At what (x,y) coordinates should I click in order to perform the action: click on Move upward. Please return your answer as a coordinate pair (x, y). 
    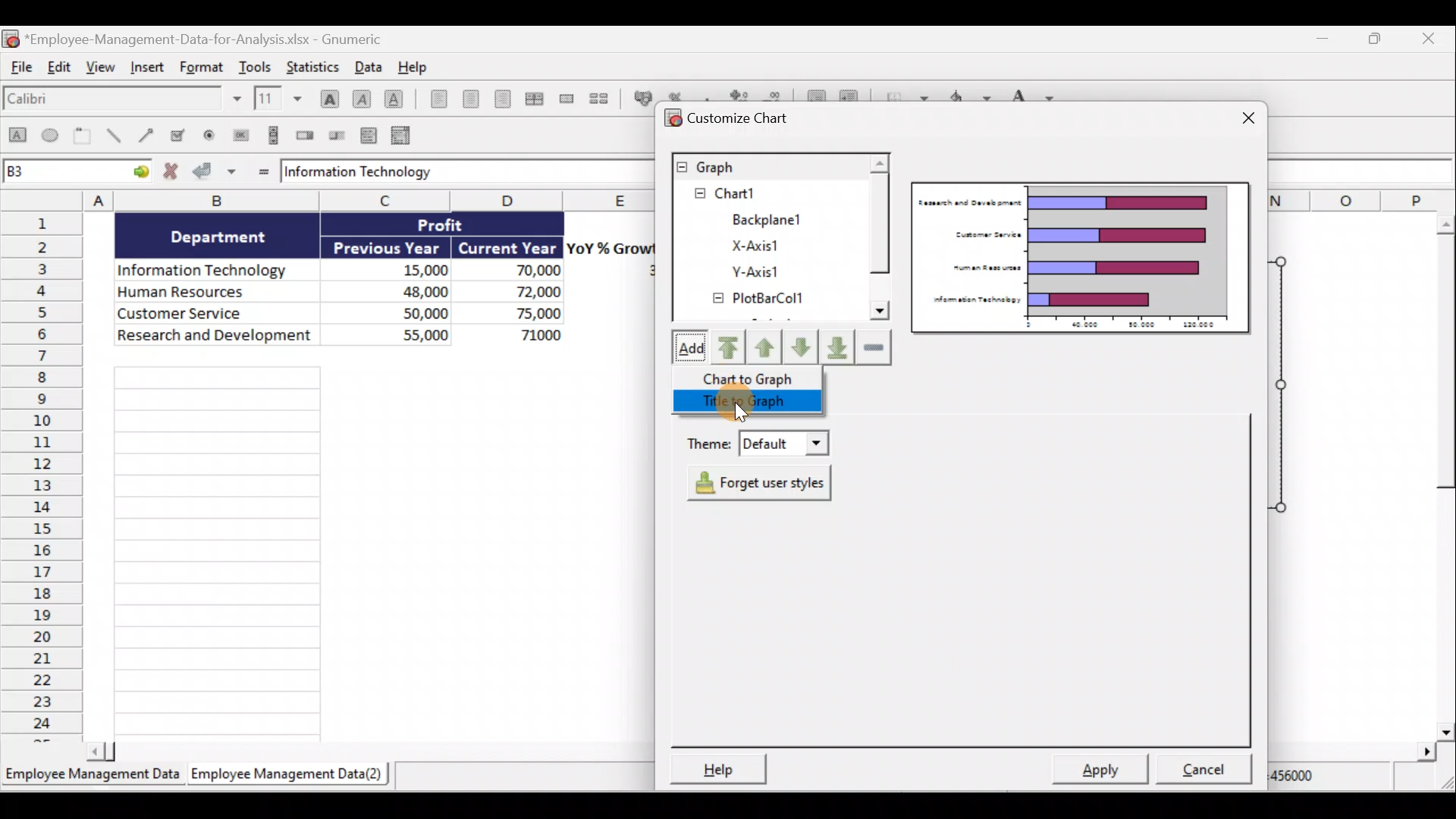
    Looking at the image, I should click on (767, 346).